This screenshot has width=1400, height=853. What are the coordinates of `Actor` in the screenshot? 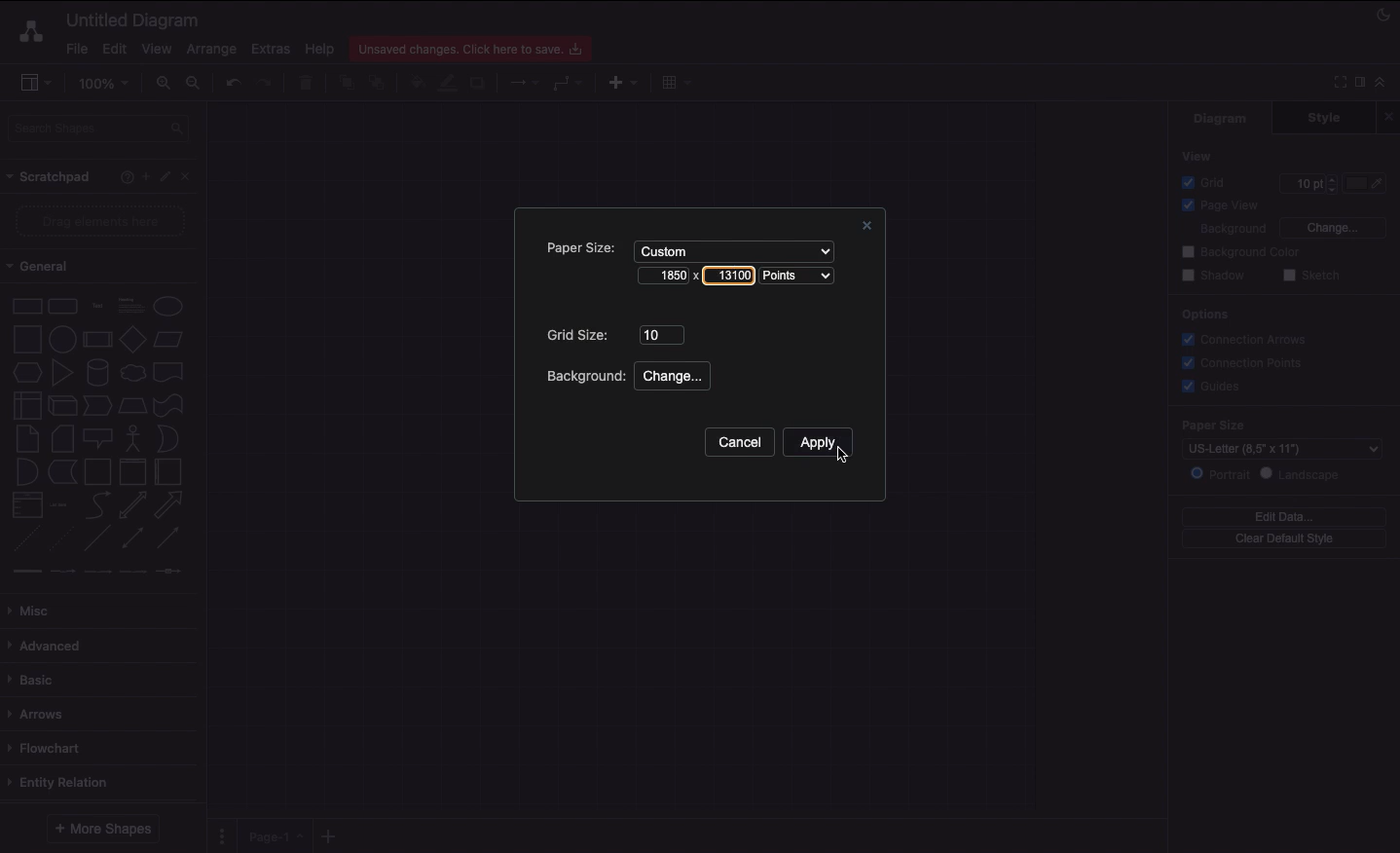 It's located at (133, 436).